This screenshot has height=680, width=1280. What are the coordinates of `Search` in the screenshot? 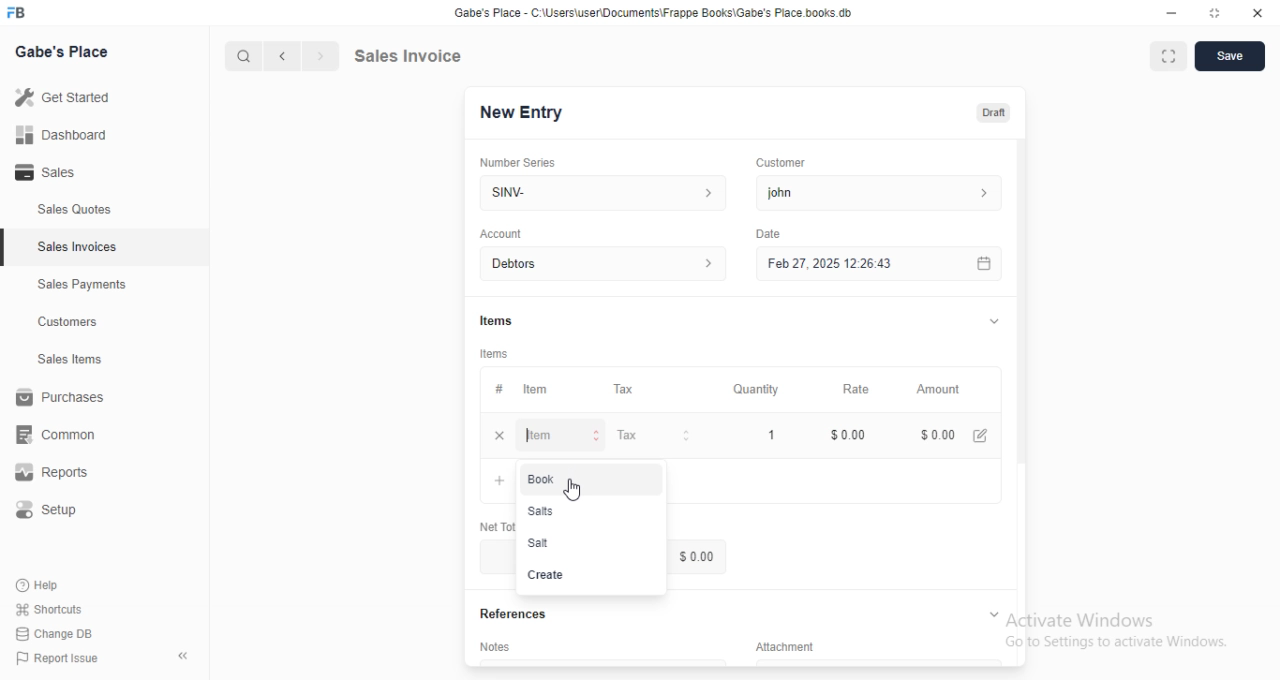 It's located at (242, 53).